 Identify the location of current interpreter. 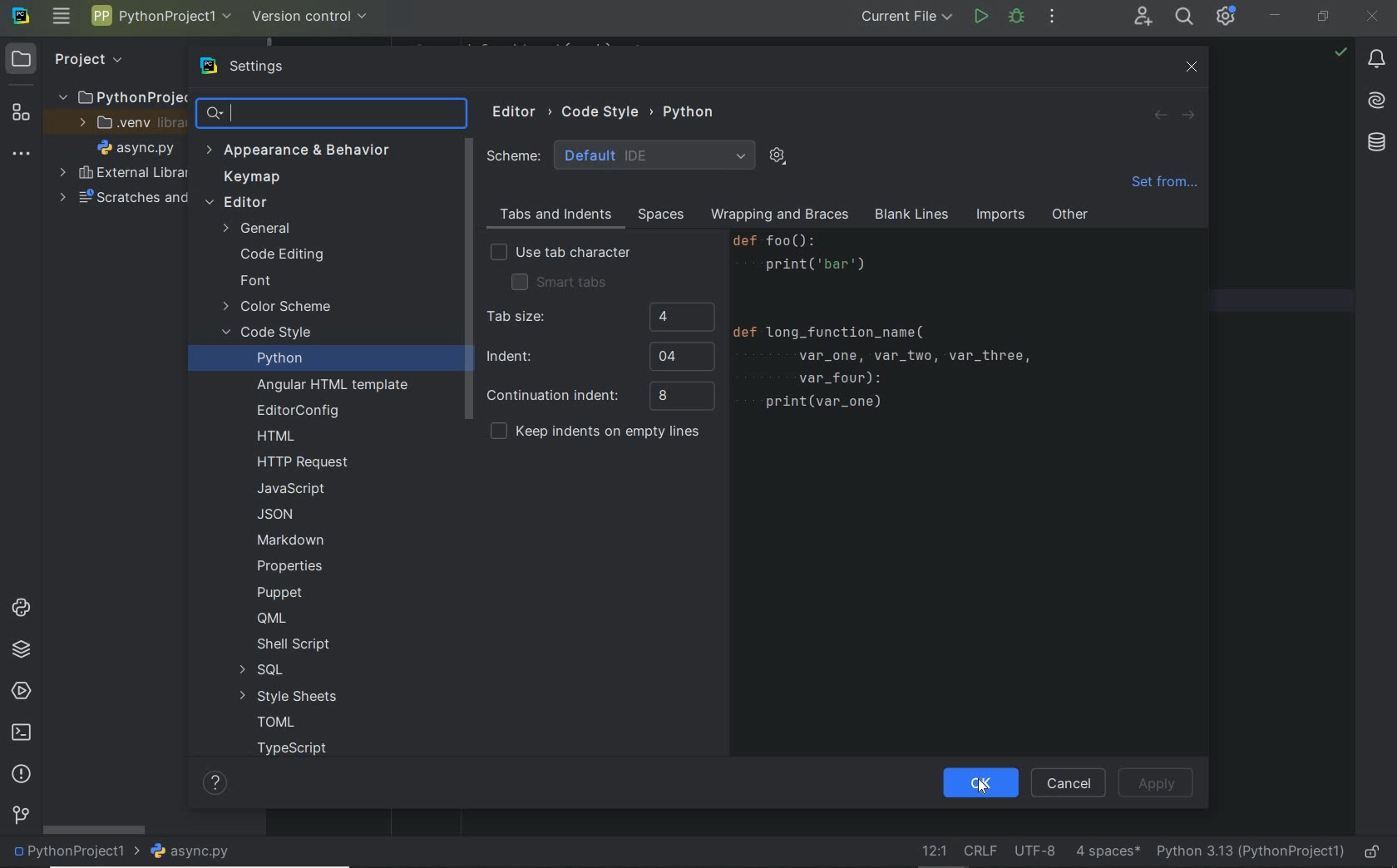
(1250, 851).